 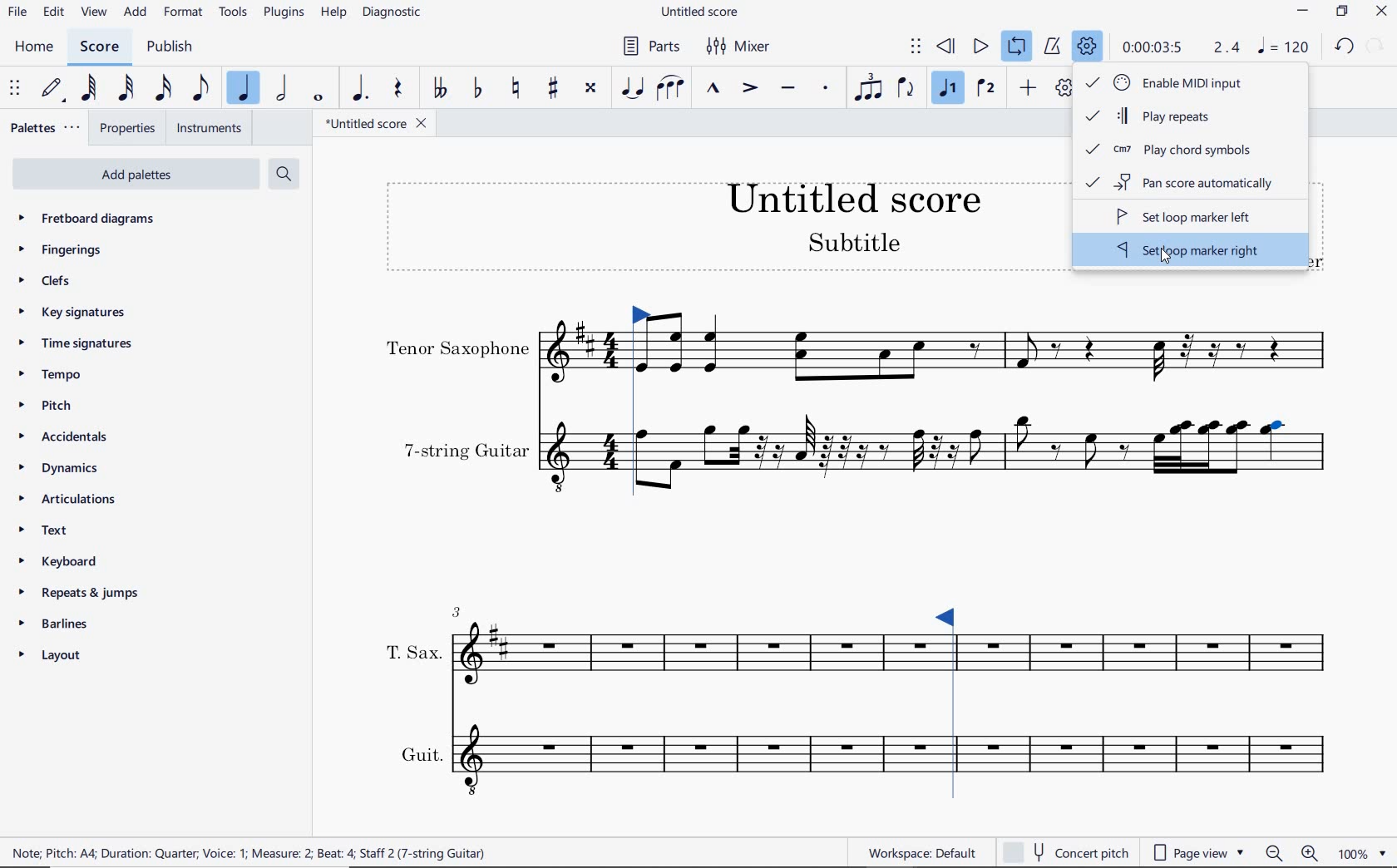 What do you see at coordinates (160, 88) in the screenshot?
I see `16TH NOTE` at bounding box center [160, 88].